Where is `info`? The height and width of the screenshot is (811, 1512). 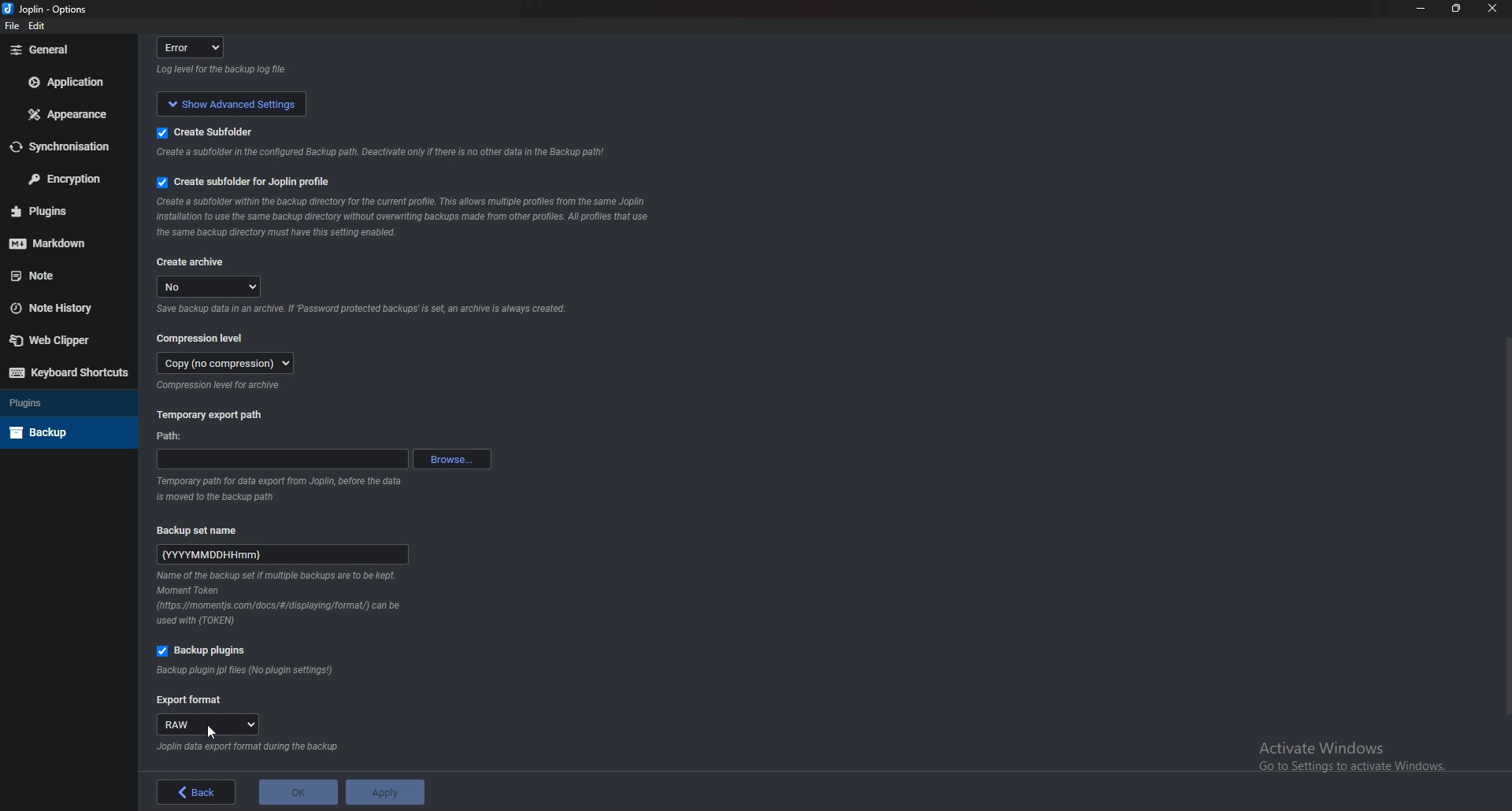
info is located at coordinates (376, 154).